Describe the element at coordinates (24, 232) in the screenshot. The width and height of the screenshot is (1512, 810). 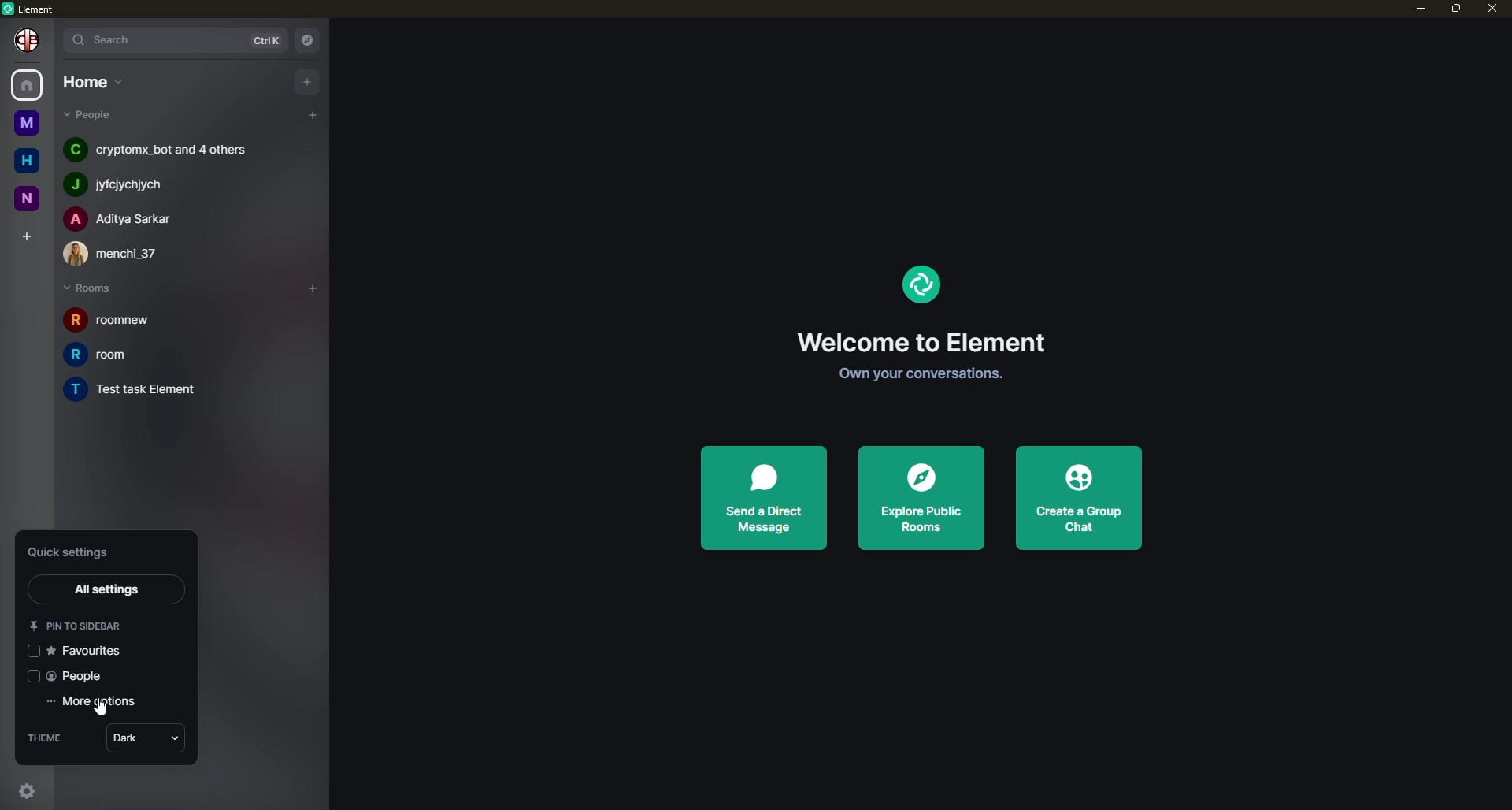
I see `create space` at that location.